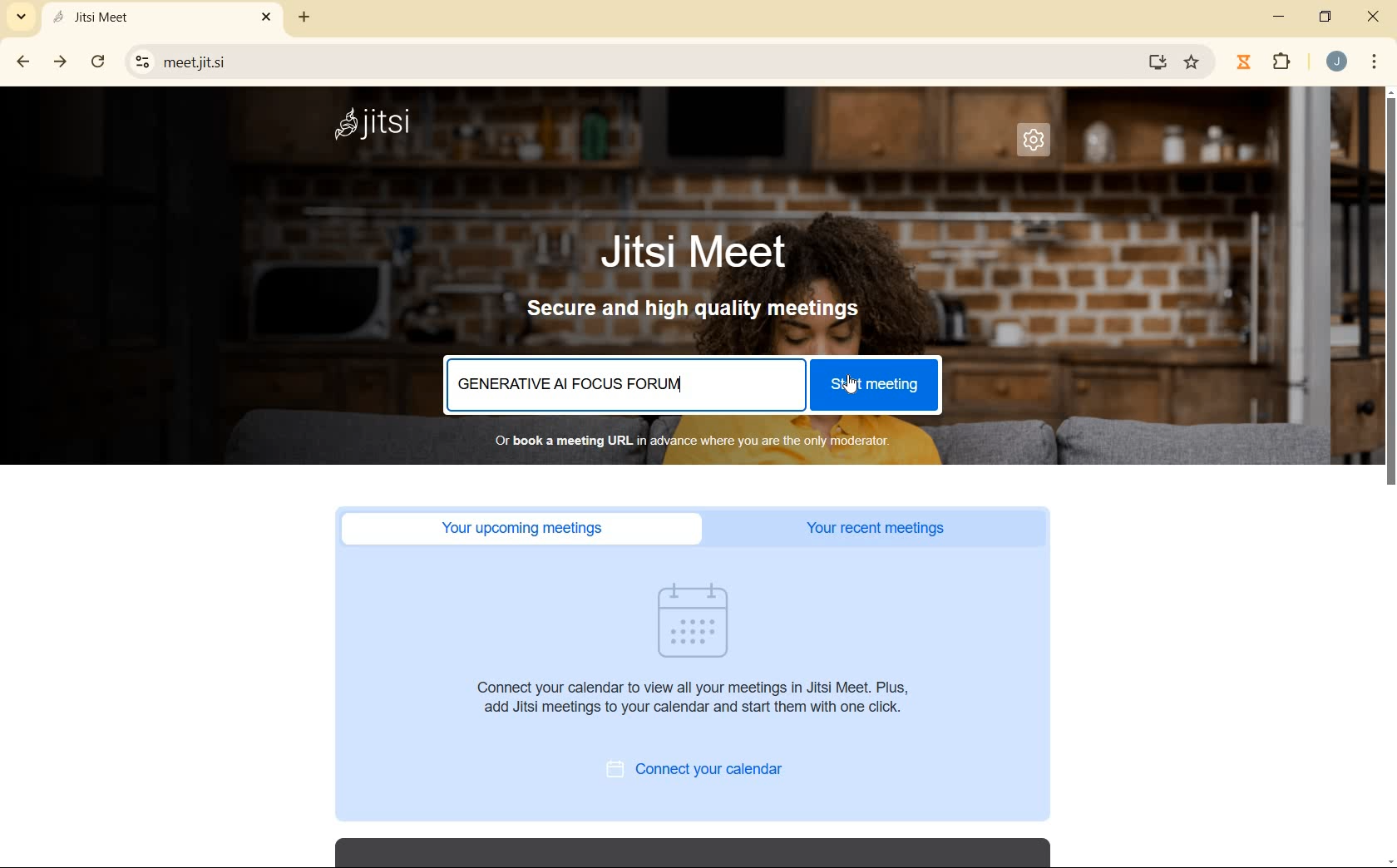 Image resolution: width=1397 pixels, height=868 pixels. What do you see at coordinates (1374, 62) in the screenshot?
I see `CUSTOMIZE GOOGLE CHROME` at bounding box center [1374, 62].